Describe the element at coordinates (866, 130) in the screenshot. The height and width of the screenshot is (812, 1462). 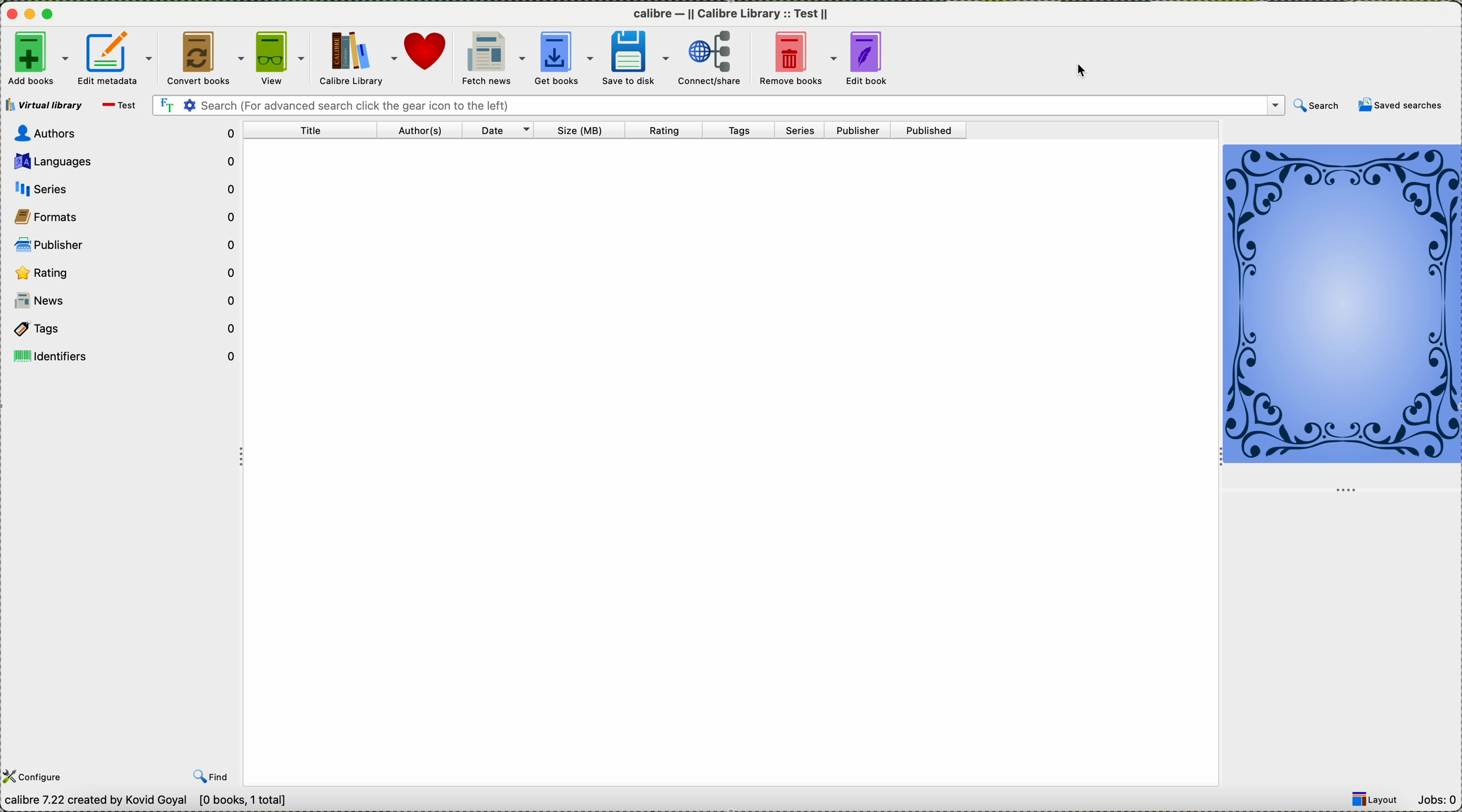
I see `publisher` at that location.